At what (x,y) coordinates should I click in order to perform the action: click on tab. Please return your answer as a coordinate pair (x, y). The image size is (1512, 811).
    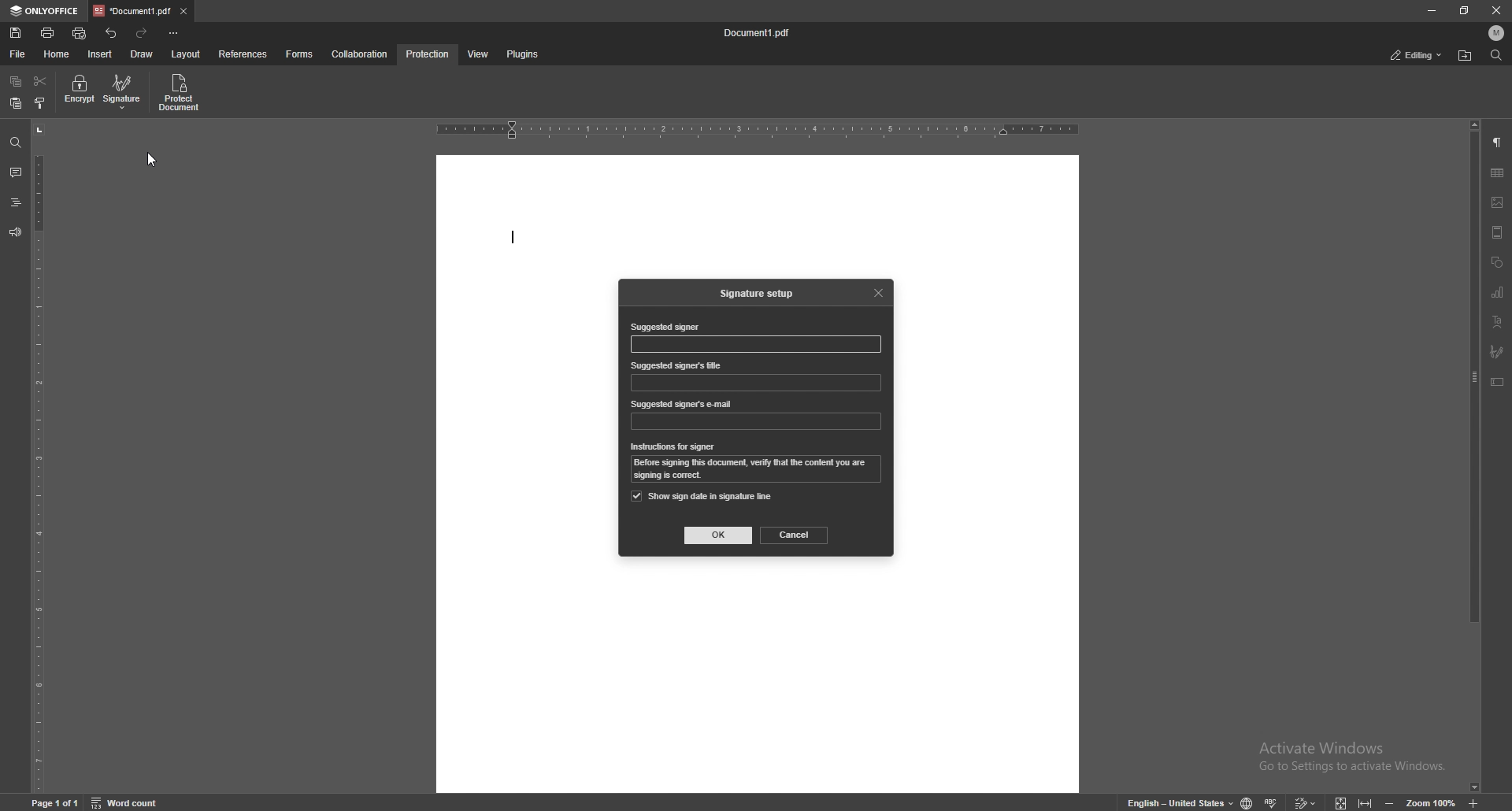
    Looking at the image, I should click on (132, 10).